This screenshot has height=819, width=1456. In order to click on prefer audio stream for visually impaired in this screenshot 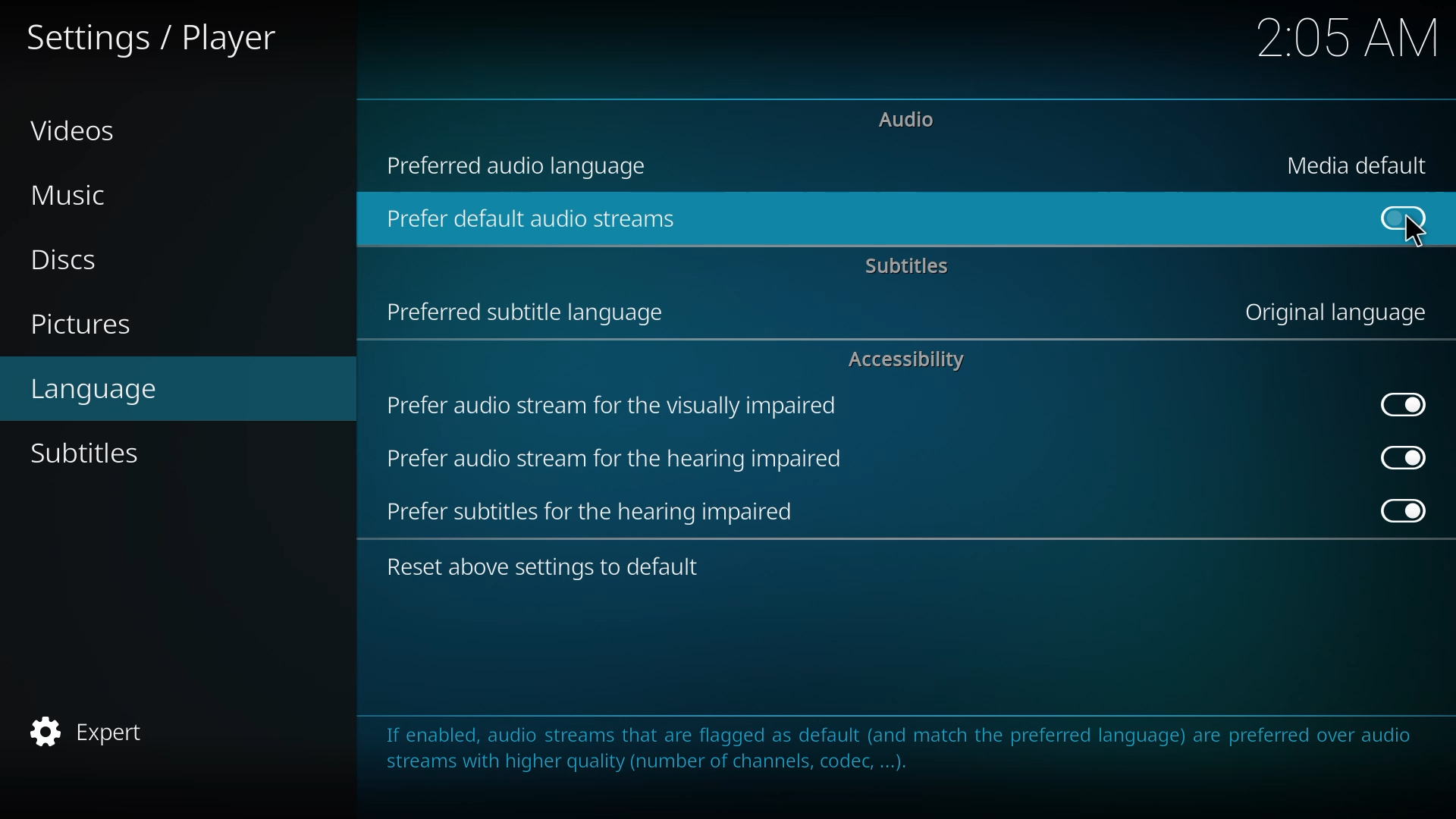, I will do `click(612, 406)`.